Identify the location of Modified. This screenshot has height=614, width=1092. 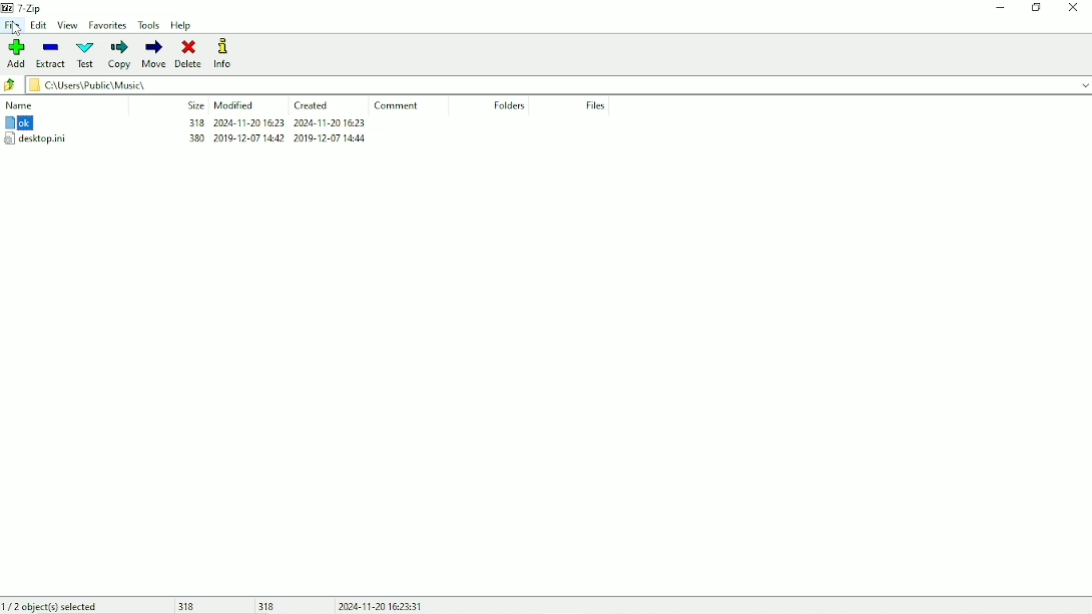
(235, 106).